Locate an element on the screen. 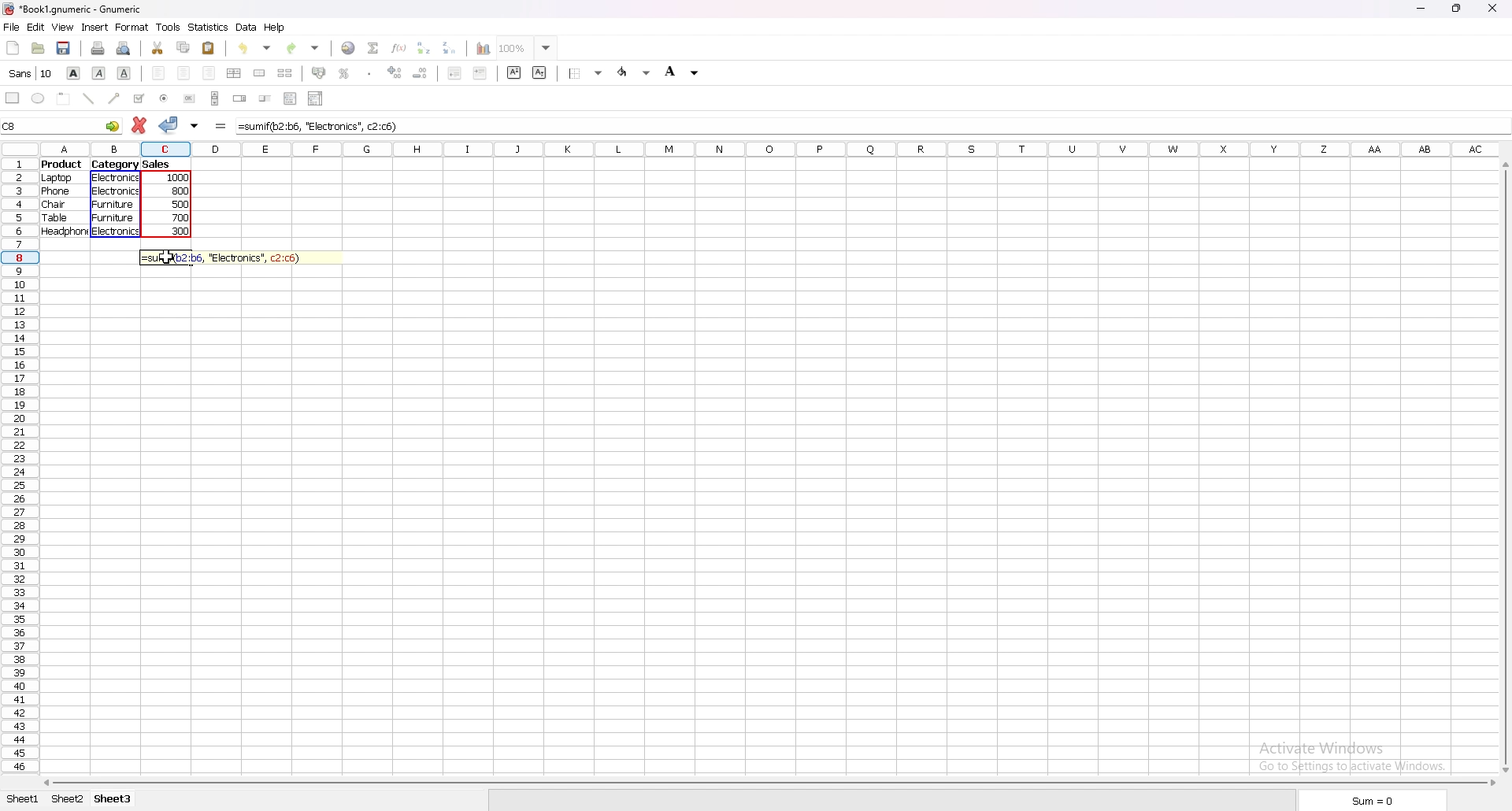  centre is located at coordinates (183, 73).